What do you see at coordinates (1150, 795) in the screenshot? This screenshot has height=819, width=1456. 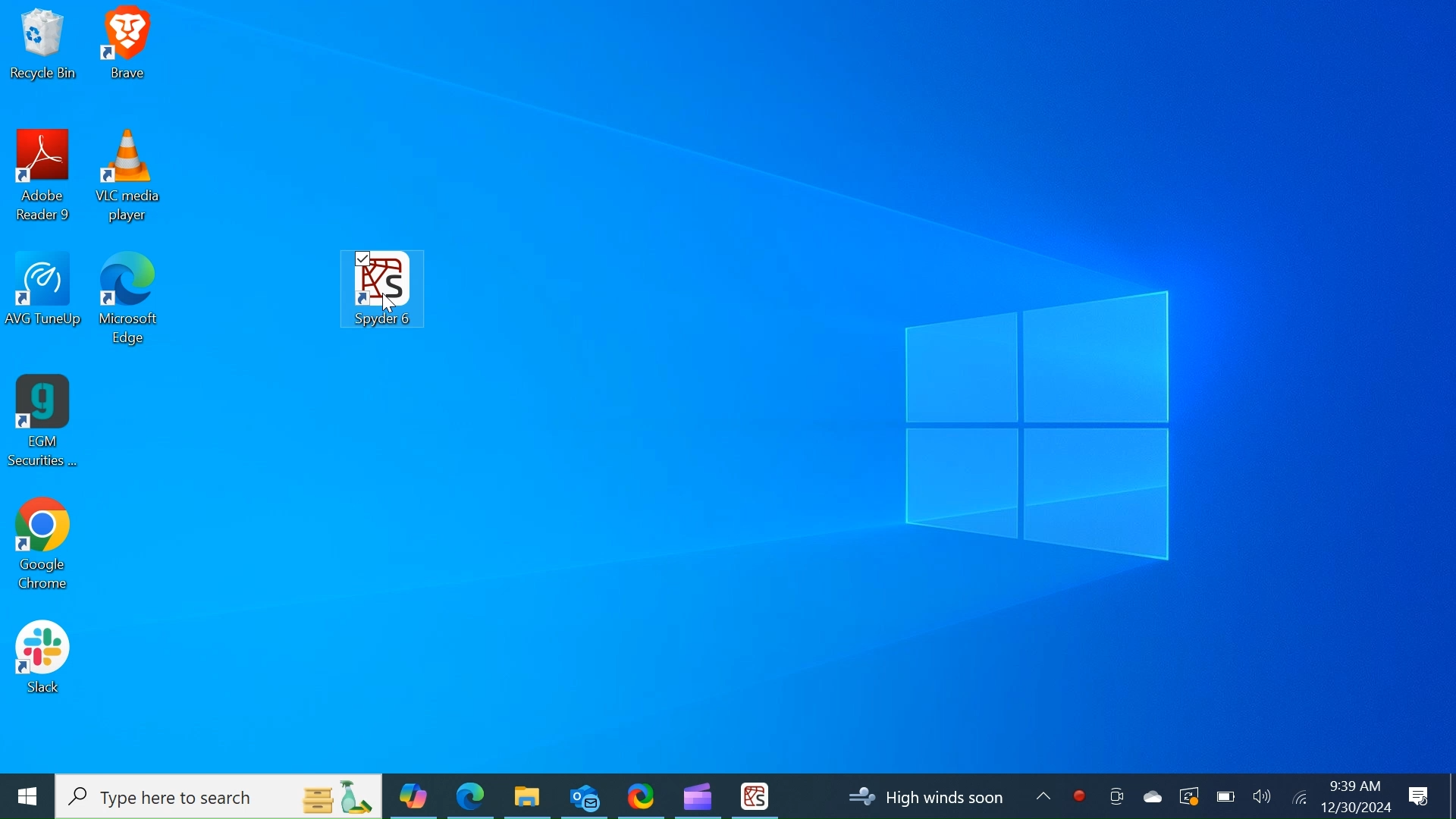 I see `OneDrive` at bounding box center [1150, 795].